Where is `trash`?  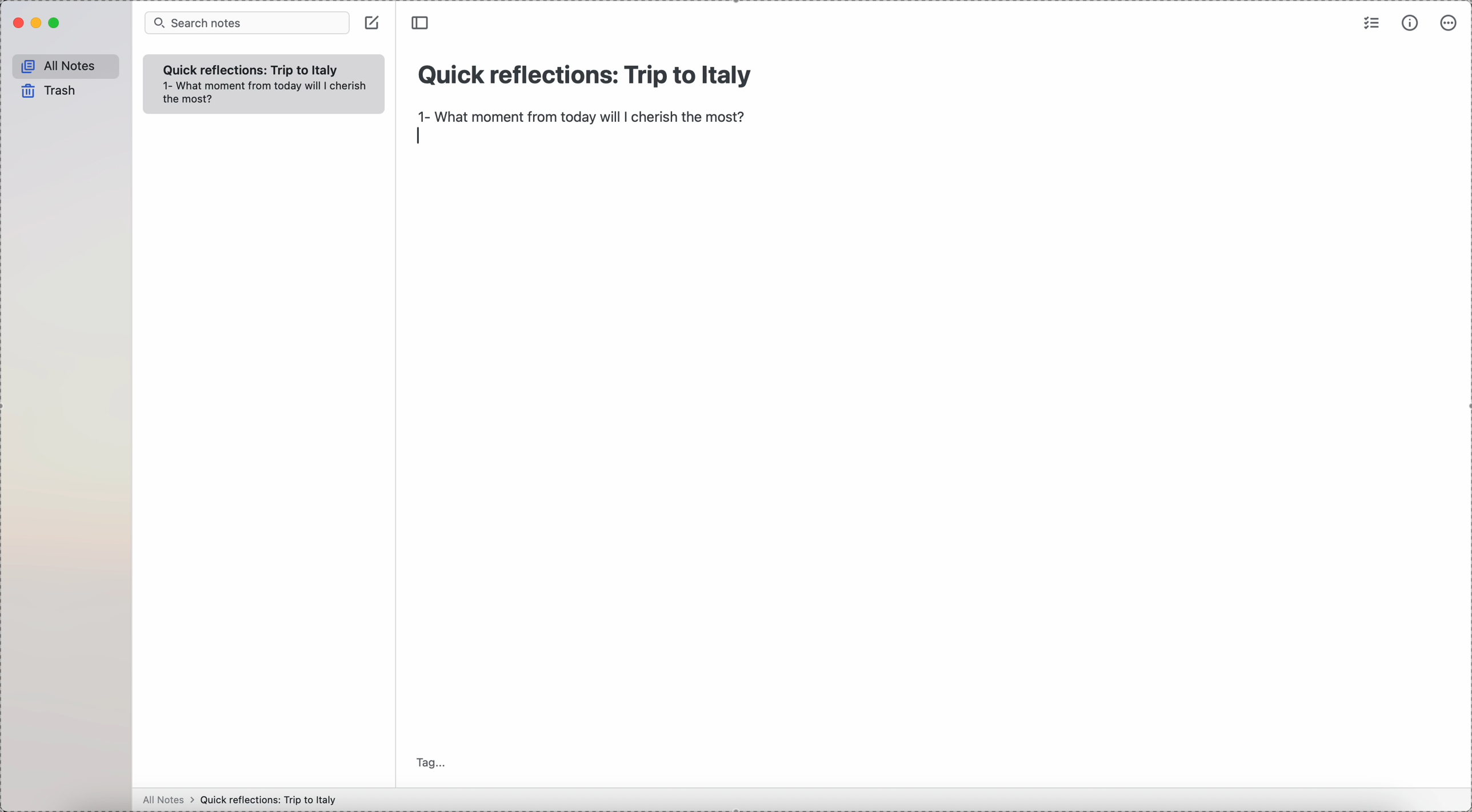
trash is located at coordinates (47, 91).